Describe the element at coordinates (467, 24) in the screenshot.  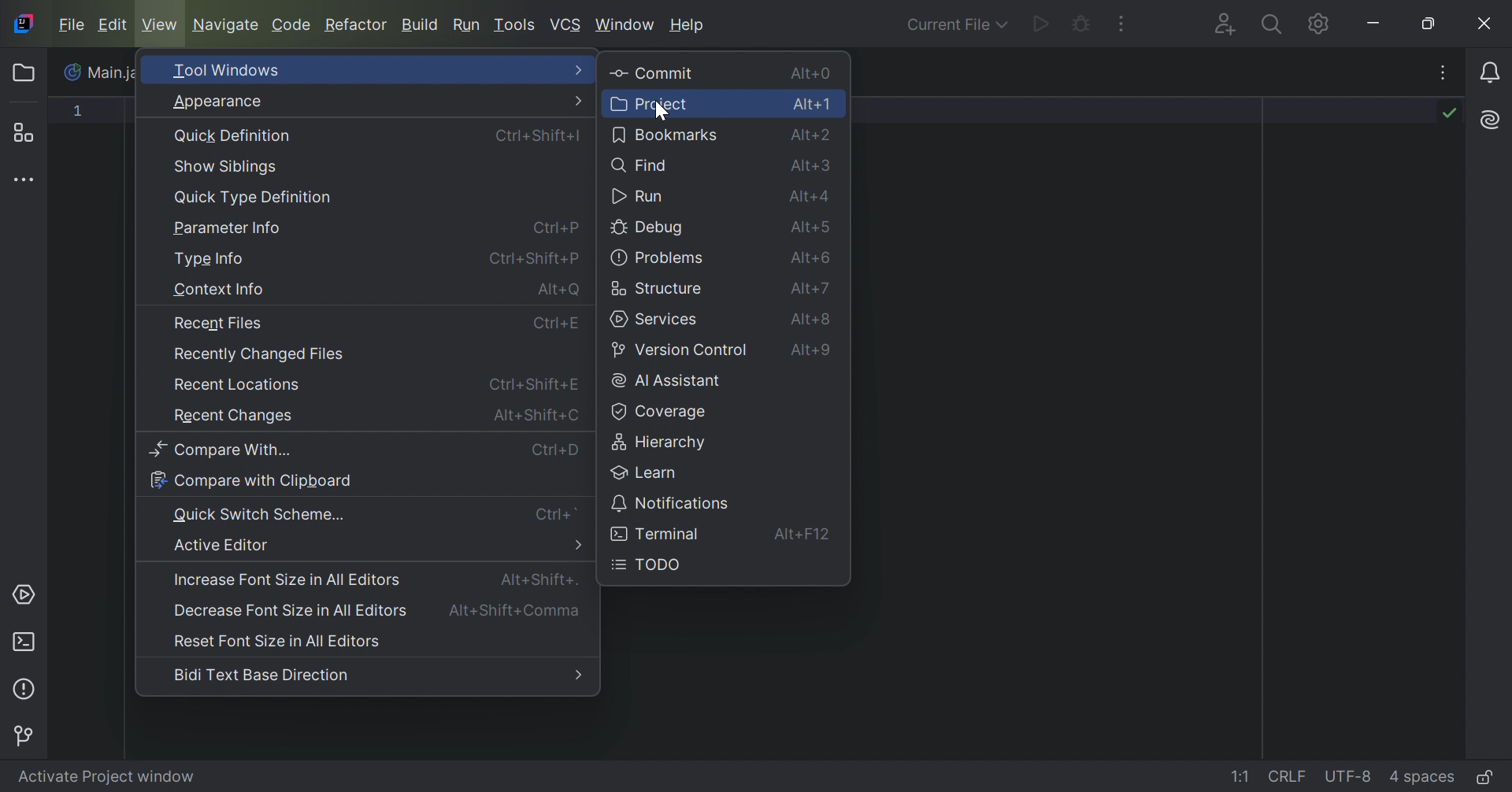
I see `Run` at that location.